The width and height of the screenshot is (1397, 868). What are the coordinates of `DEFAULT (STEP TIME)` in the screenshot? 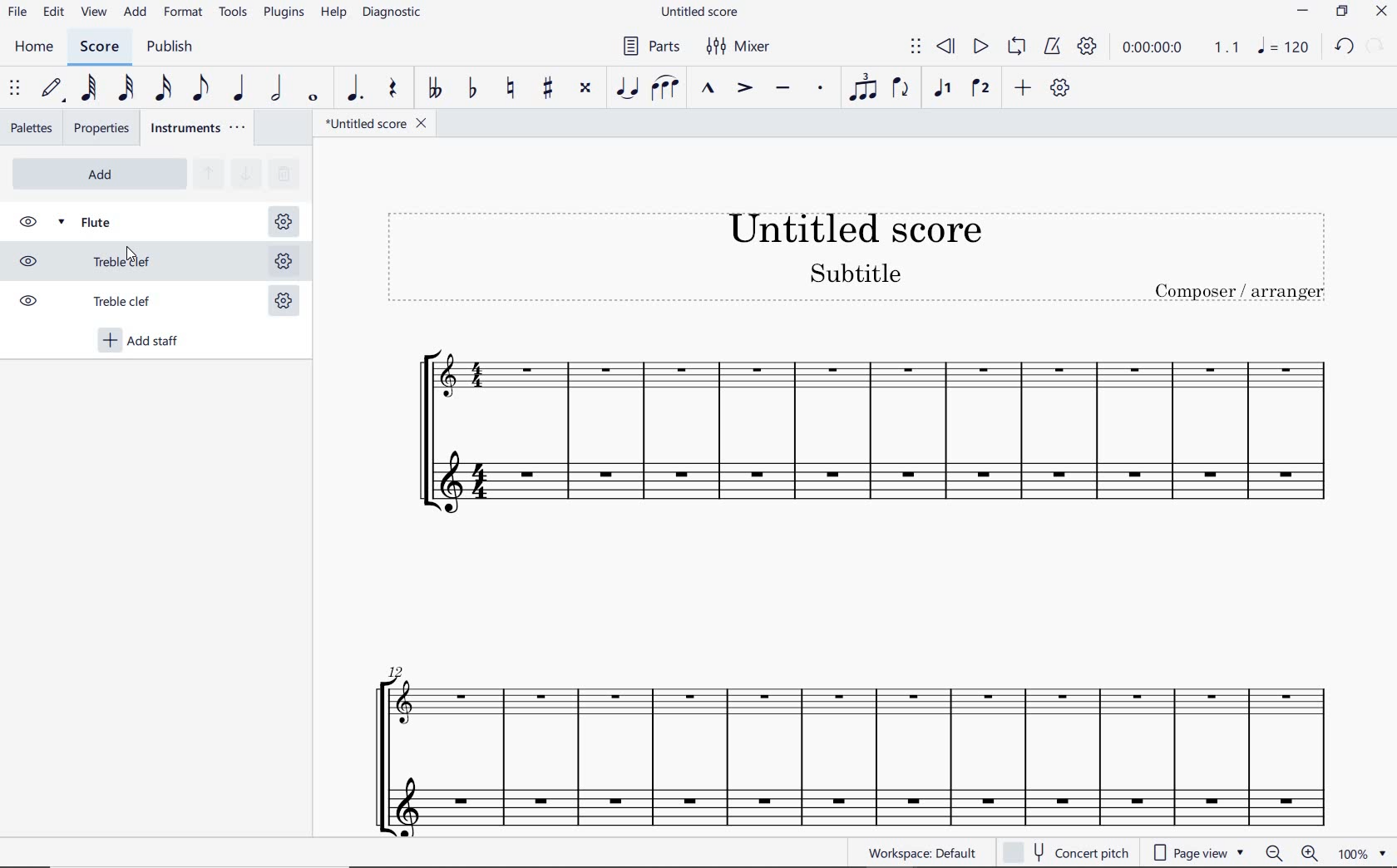 It's located at (52, 89).